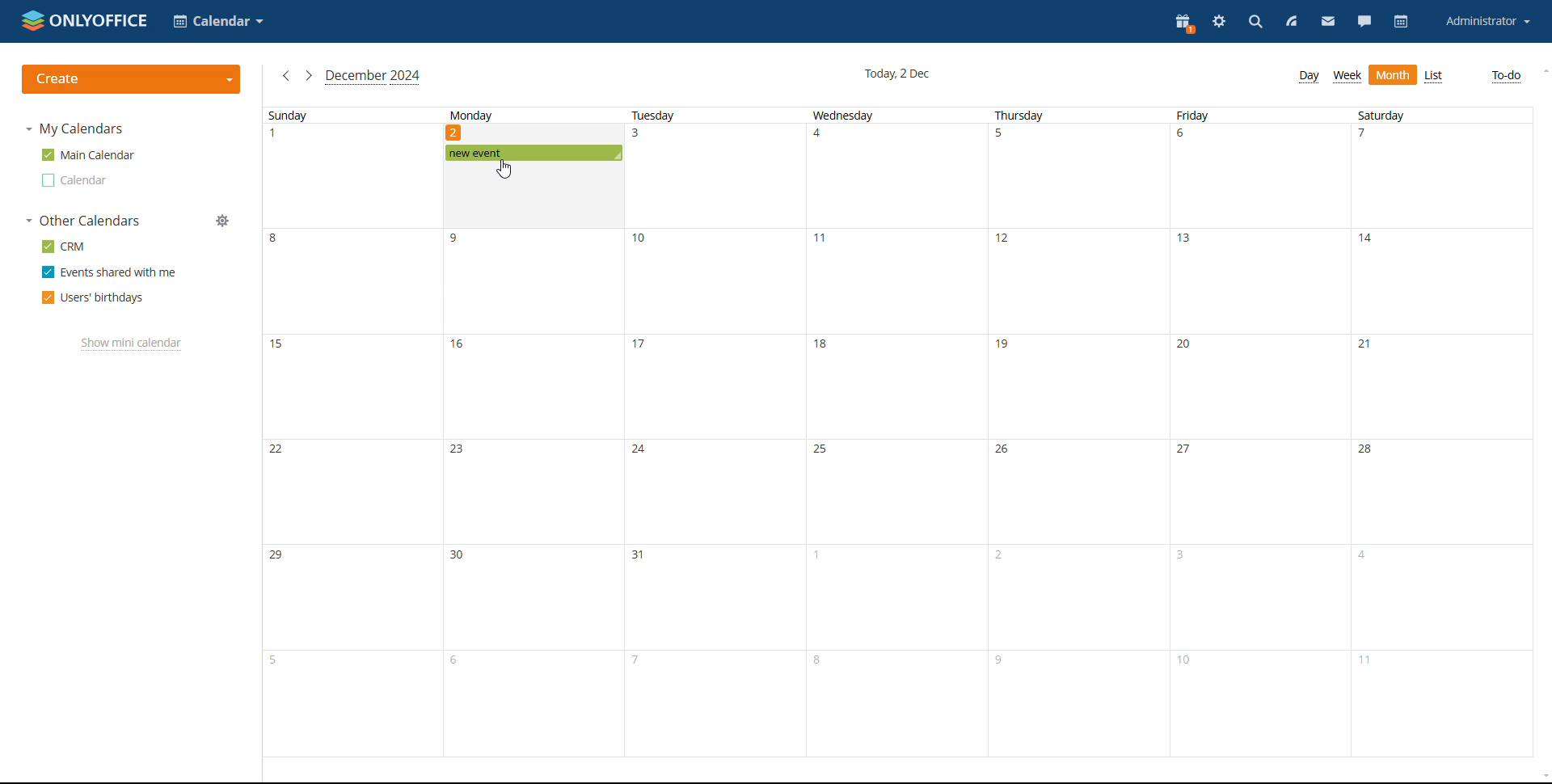  Describe the element at coordinates (1365, 23) in the screenshot. I see `chat` at that location.